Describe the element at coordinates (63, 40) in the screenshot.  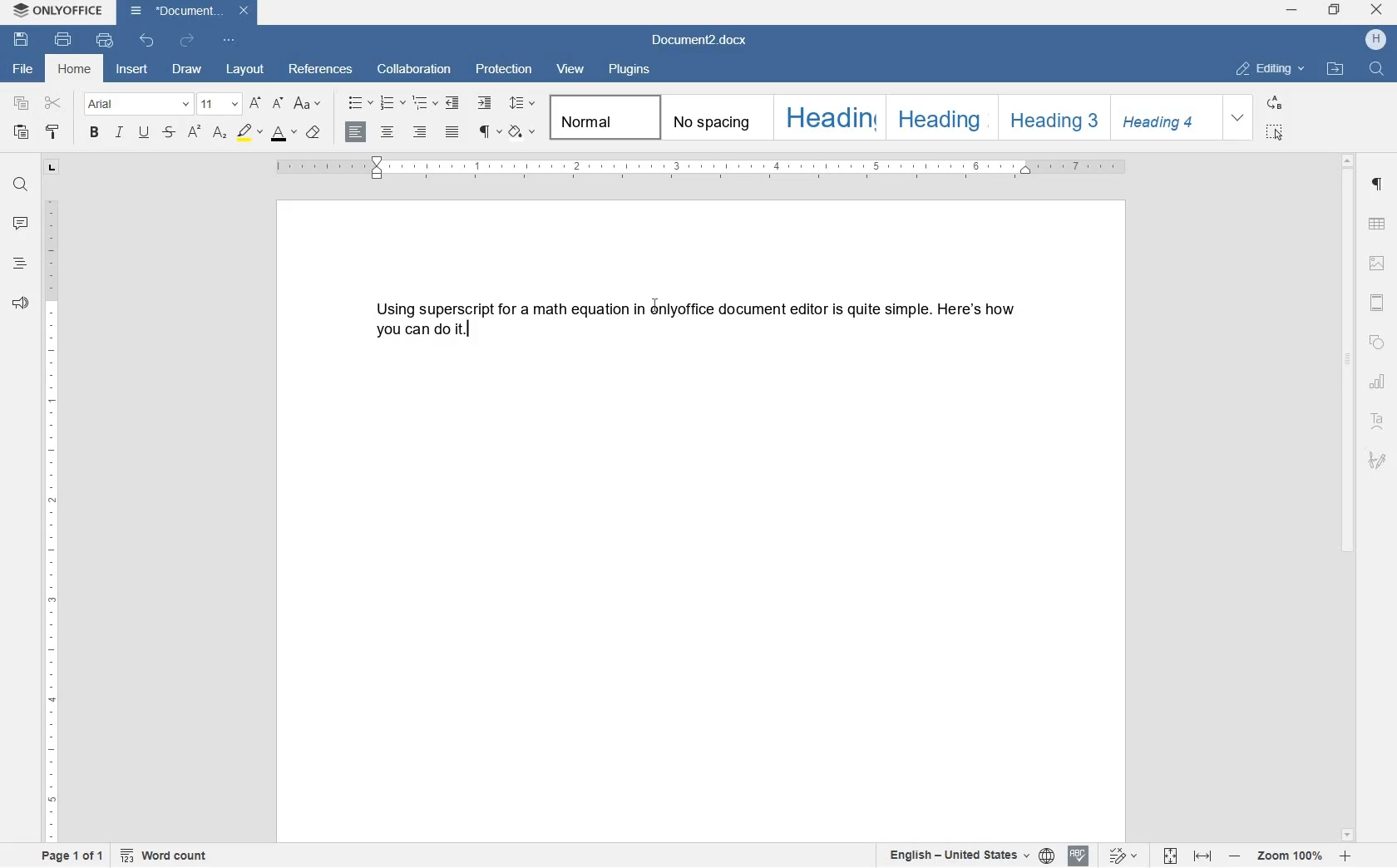
I see `print` at that location.